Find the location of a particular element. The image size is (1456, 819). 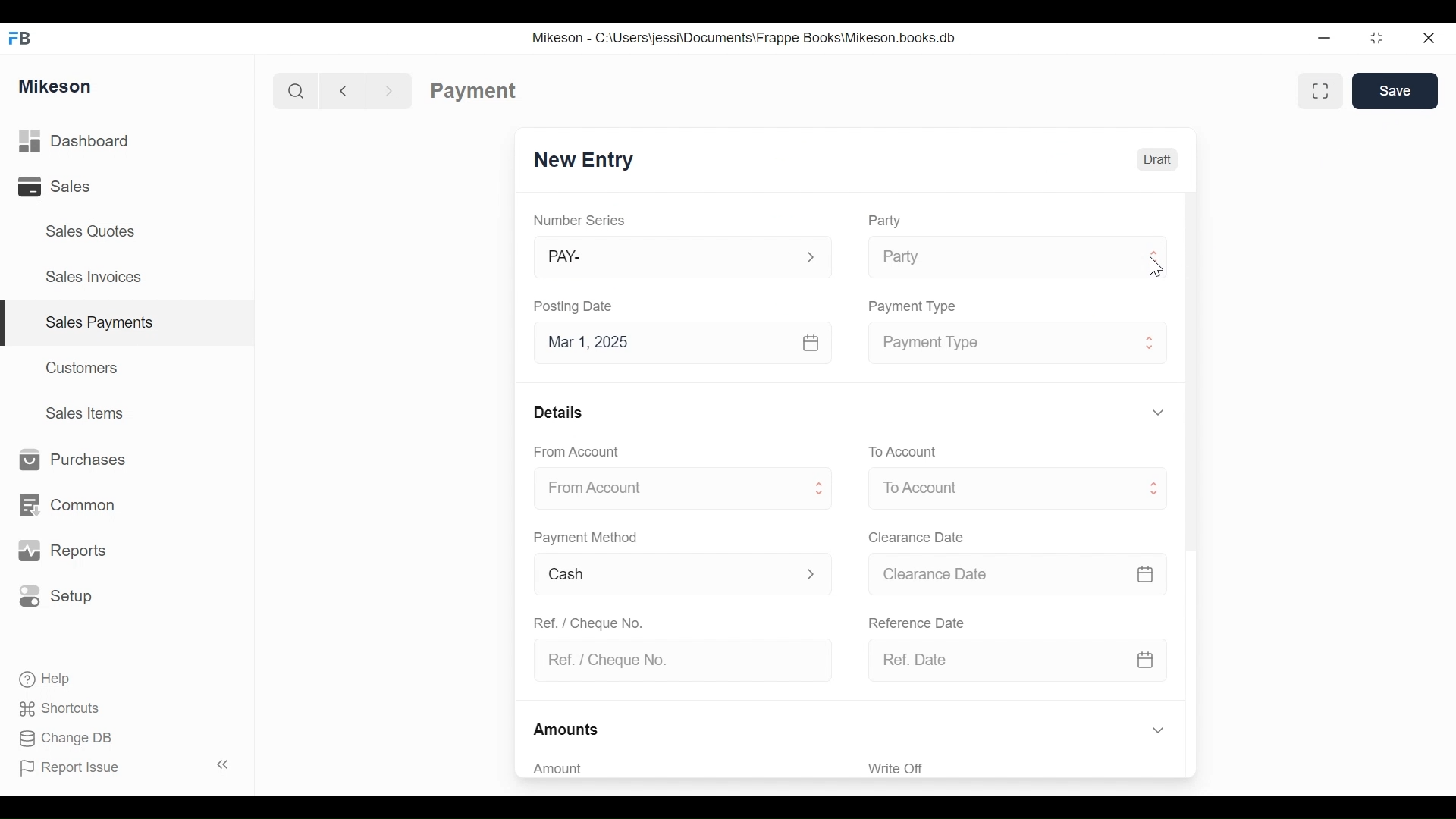

To account is located at coordinates (915, 450).